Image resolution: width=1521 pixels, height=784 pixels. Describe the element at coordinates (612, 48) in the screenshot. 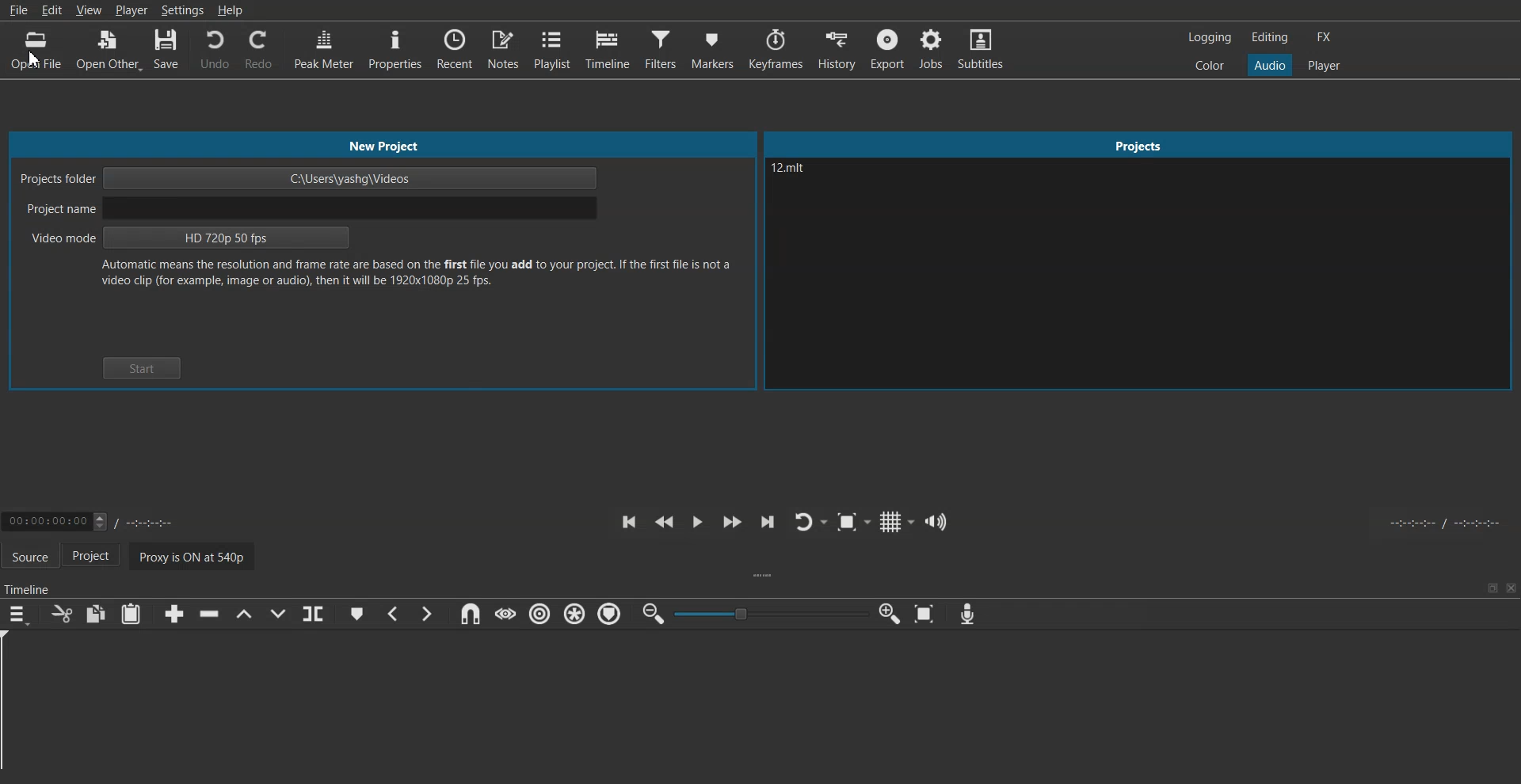

I see `Timeline` at that location.